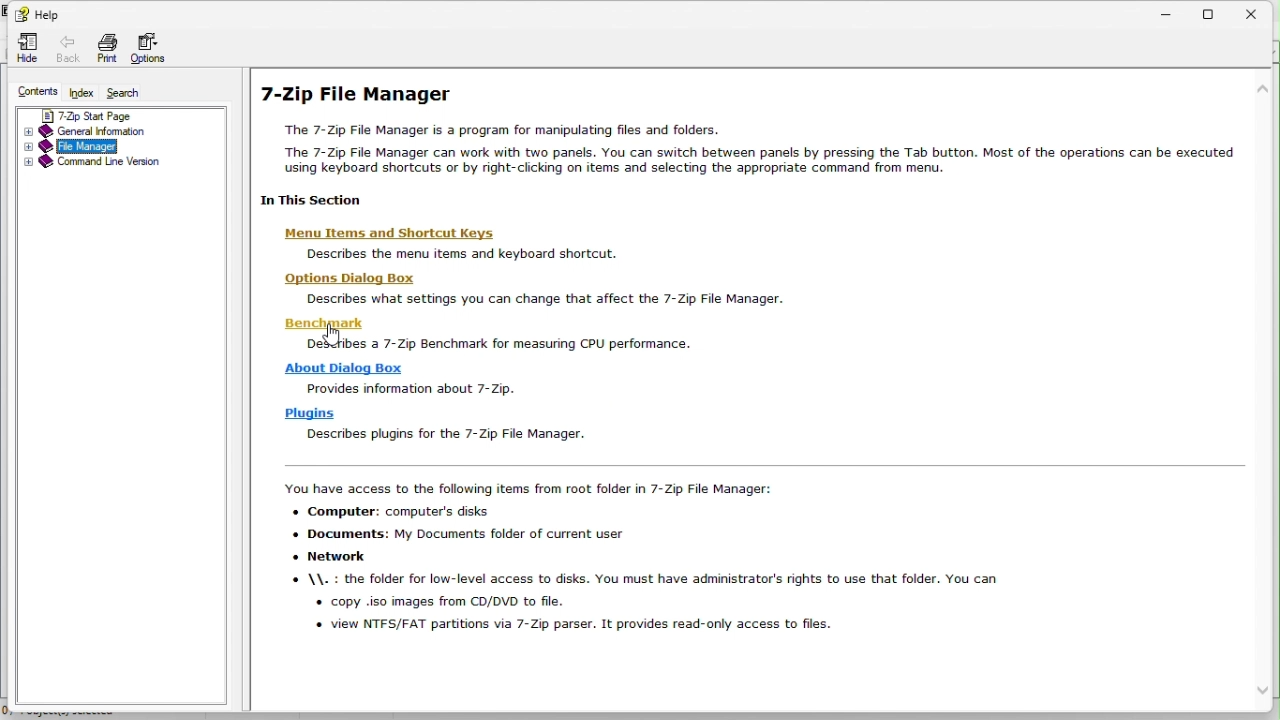 Image resolution: width=1280 pixels, height=720 pixels. Describe the element at coordinates (767, 334) in the screenshot. I see `` at that location.